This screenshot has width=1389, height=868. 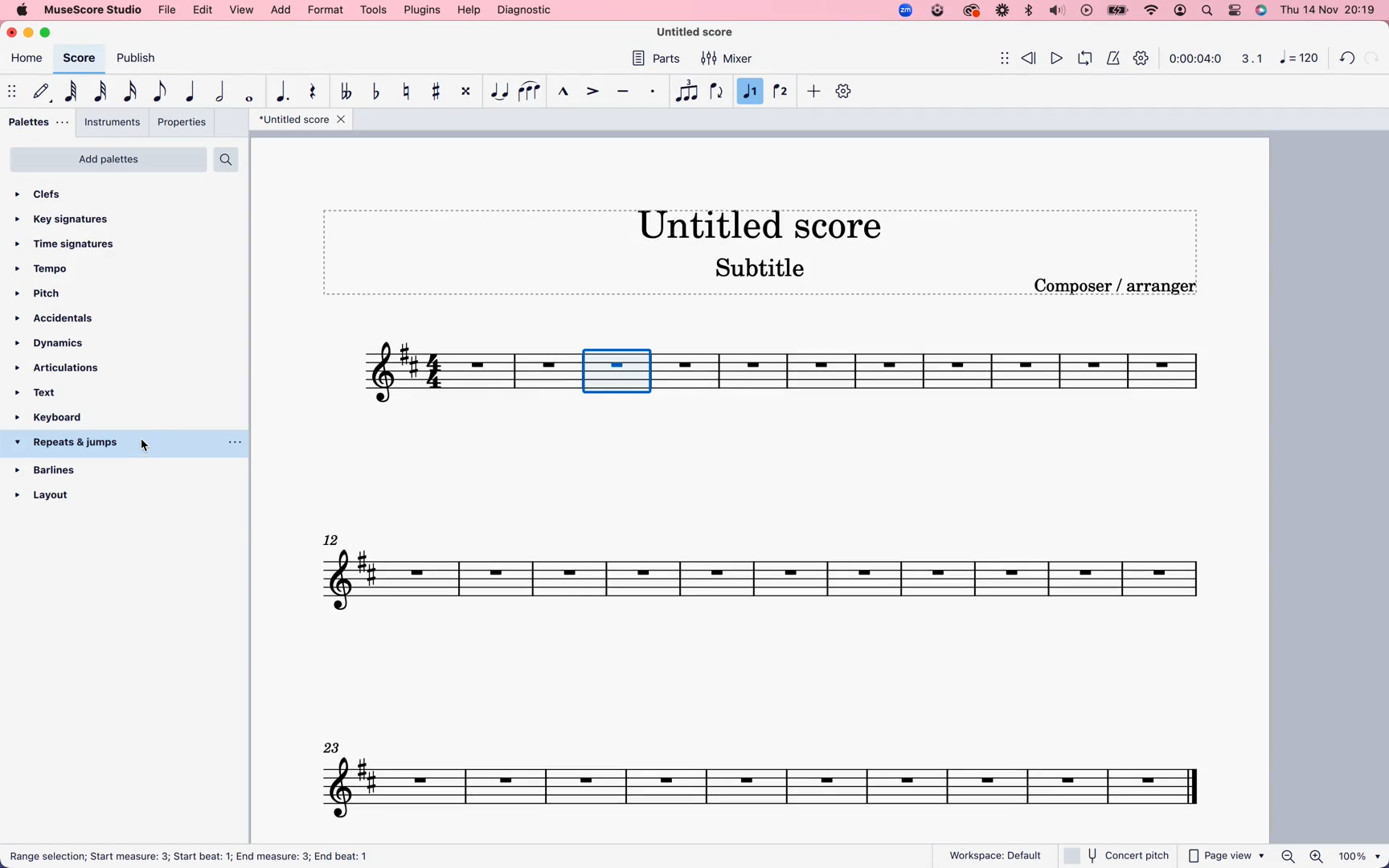 What do you see at coordinates (1116, 855) in the screenshot?
I see `concert pitch` at bounding box center [1116, 855].